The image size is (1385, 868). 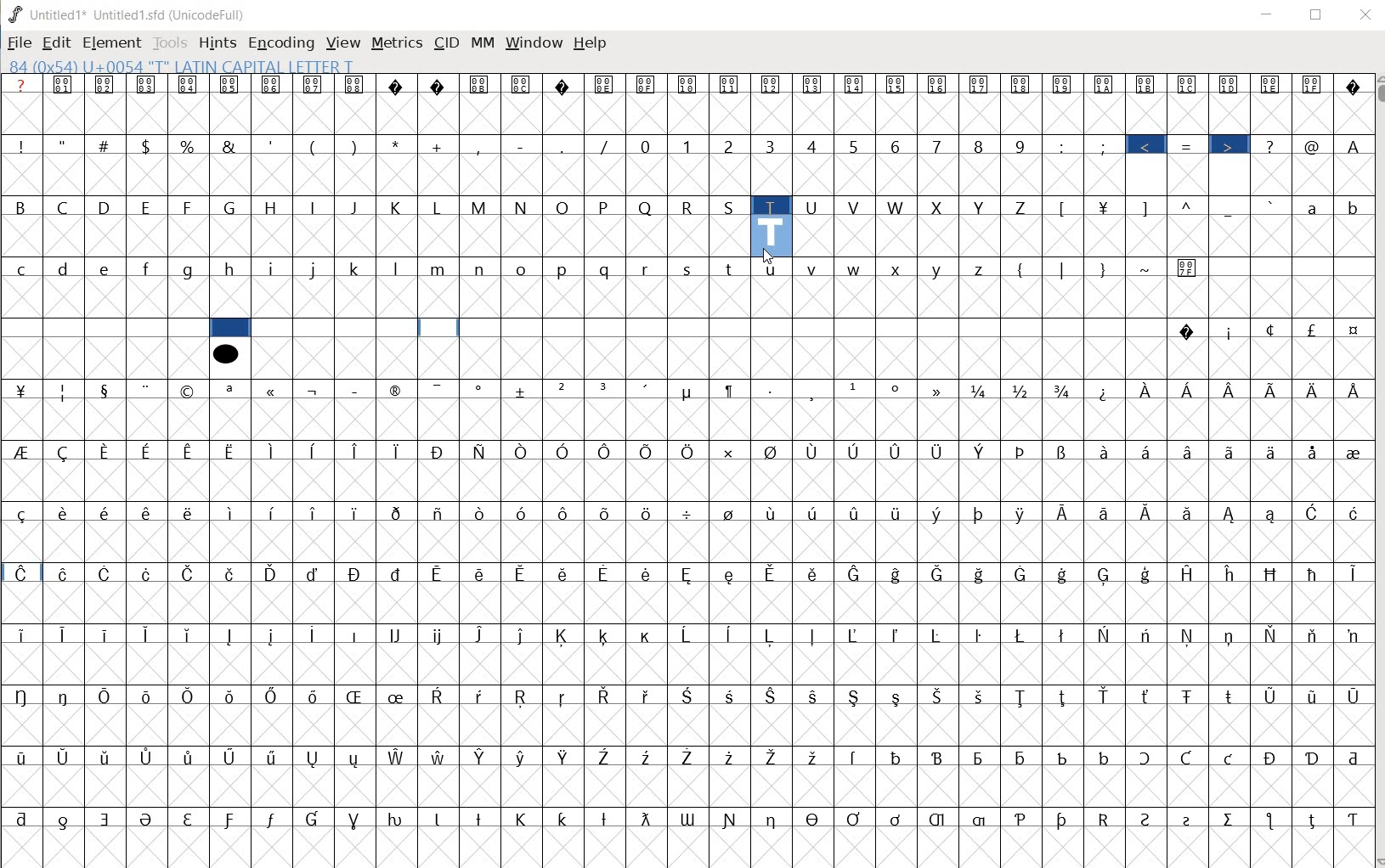 What do you see at coordinates (357, 389) in the screenshot?
I see `Symbol` at bounding box center [357, 389].